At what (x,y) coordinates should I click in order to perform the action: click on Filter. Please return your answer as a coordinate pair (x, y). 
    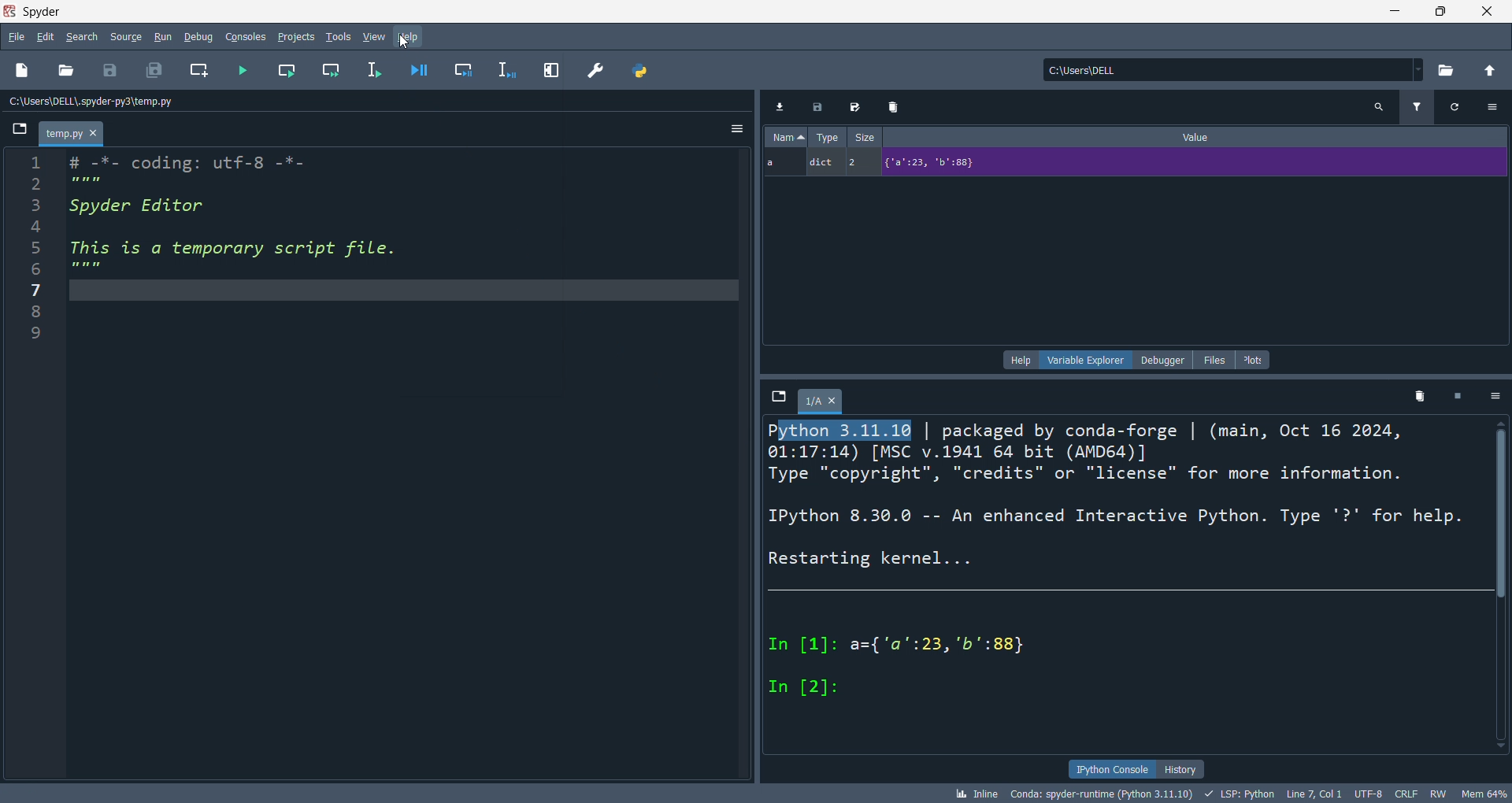
    Looking at the image, I should click on (1417, 107).